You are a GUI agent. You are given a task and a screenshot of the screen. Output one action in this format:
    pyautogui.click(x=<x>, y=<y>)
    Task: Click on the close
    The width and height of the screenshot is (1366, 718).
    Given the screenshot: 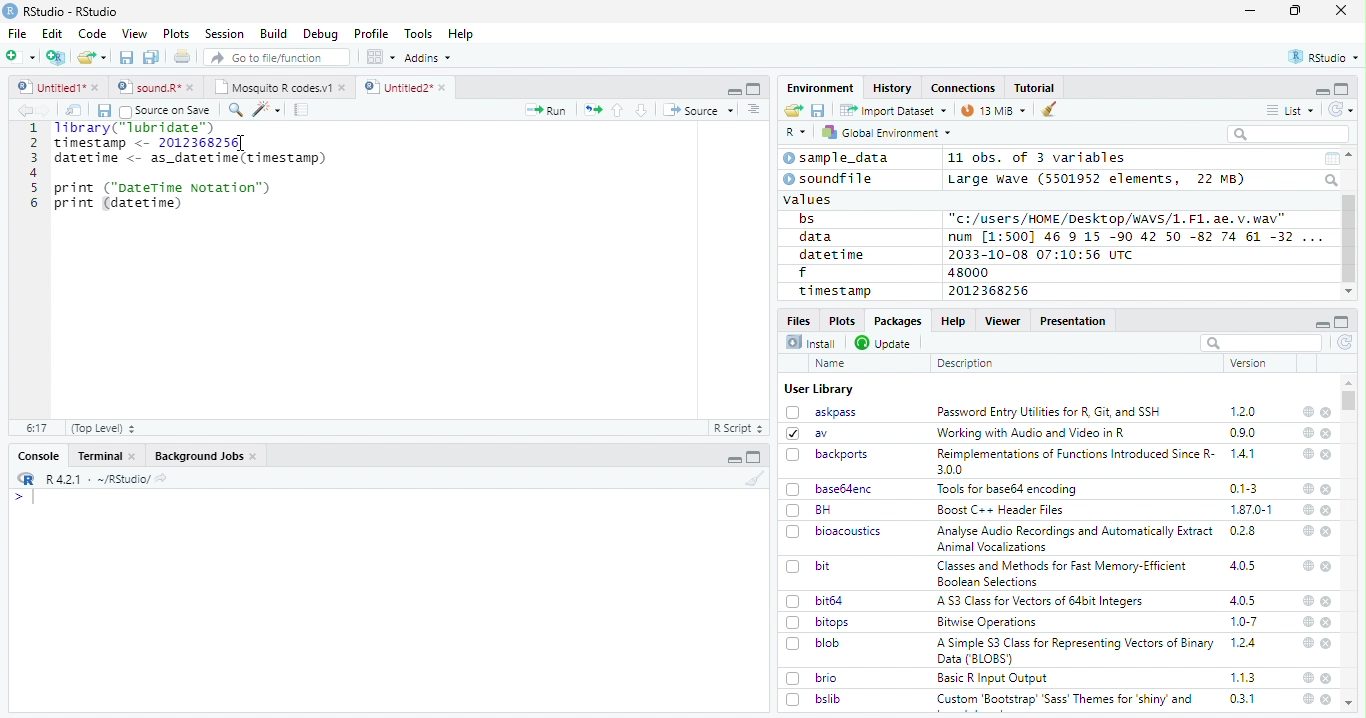 What is the action you would take?
    pyautogui.click(x=1326, y=413)
    